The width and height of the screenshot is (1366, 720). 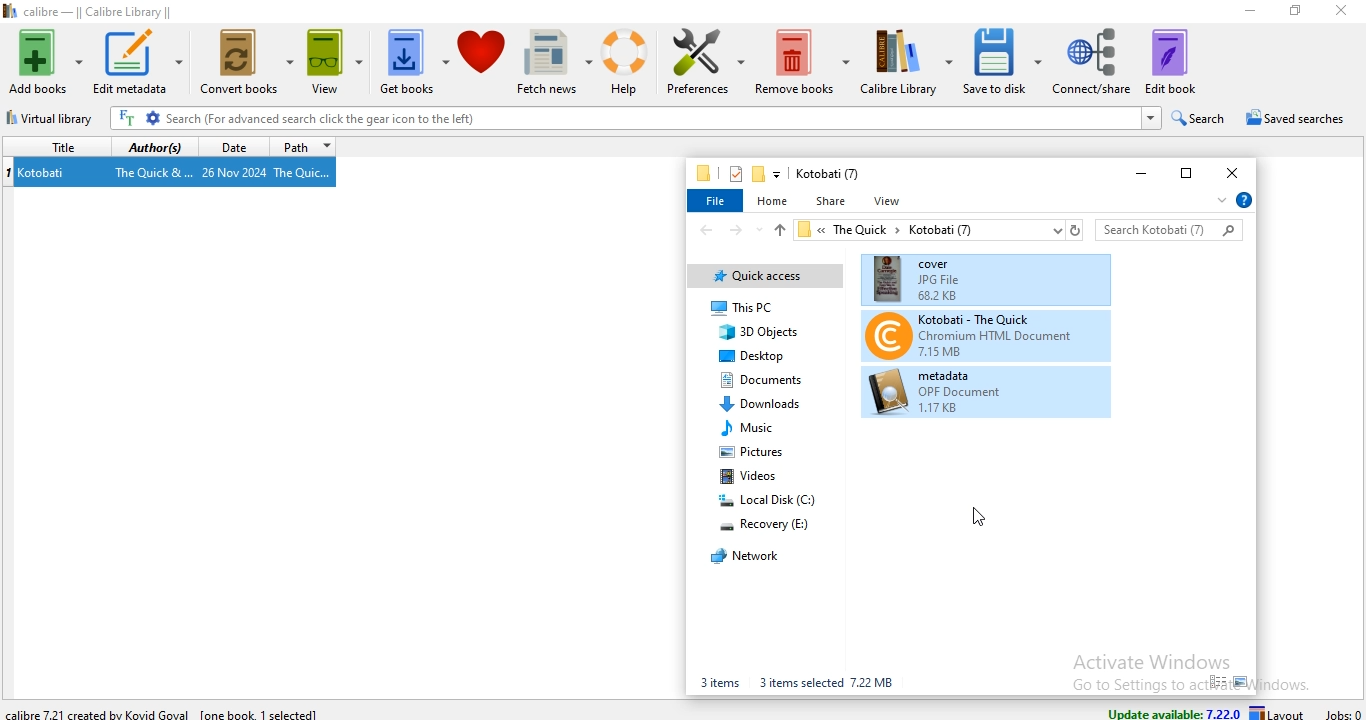 What do you see at coordinates (1293, 118) in the screenshot?
I see ` saved searches` at bounding box center [1293, 118].